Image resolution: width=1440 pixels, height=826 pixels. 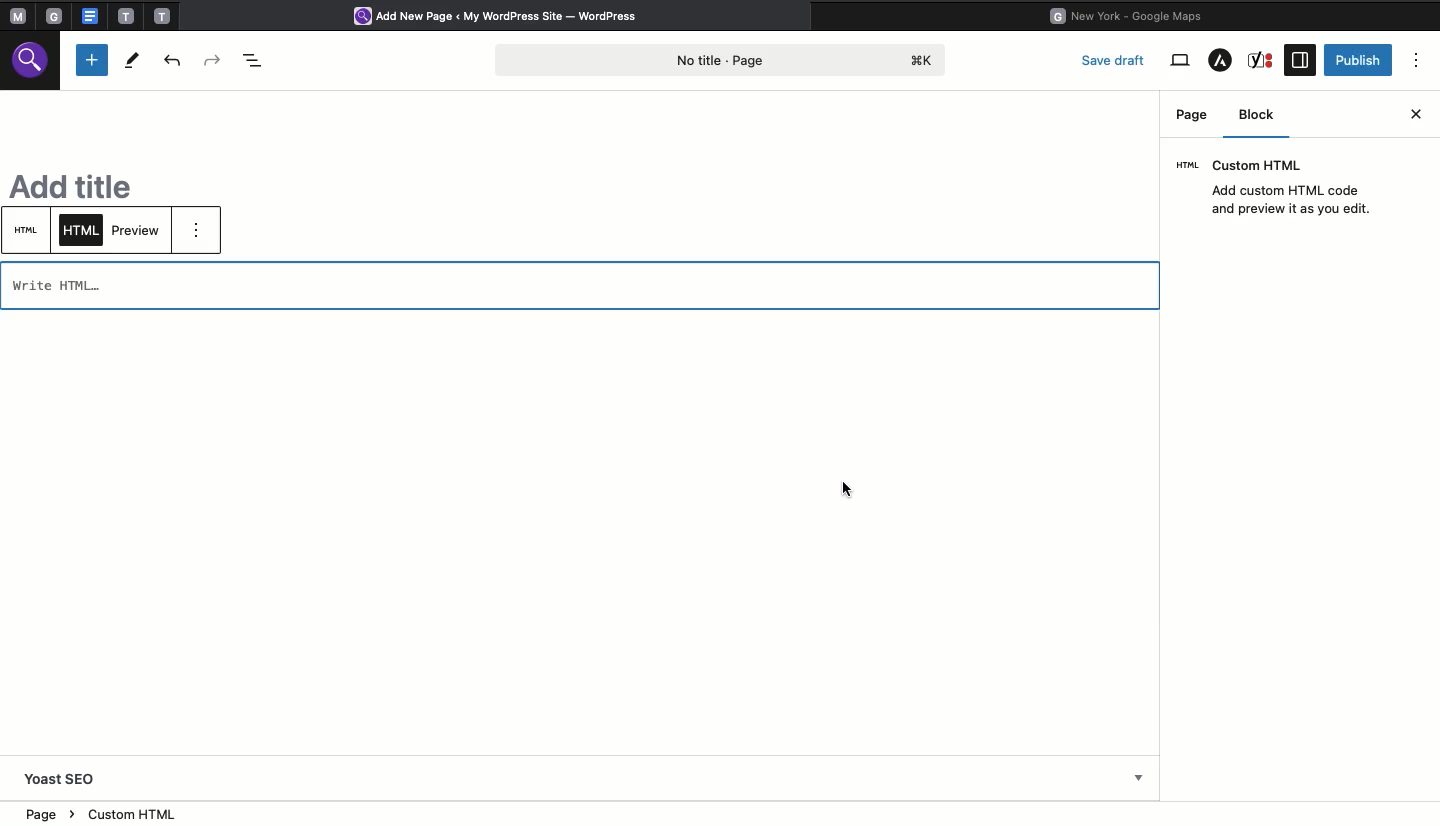 What do you see at coordinates (77, 286) in the screenshot?
I see `write html` at bounding box center [77, 286].